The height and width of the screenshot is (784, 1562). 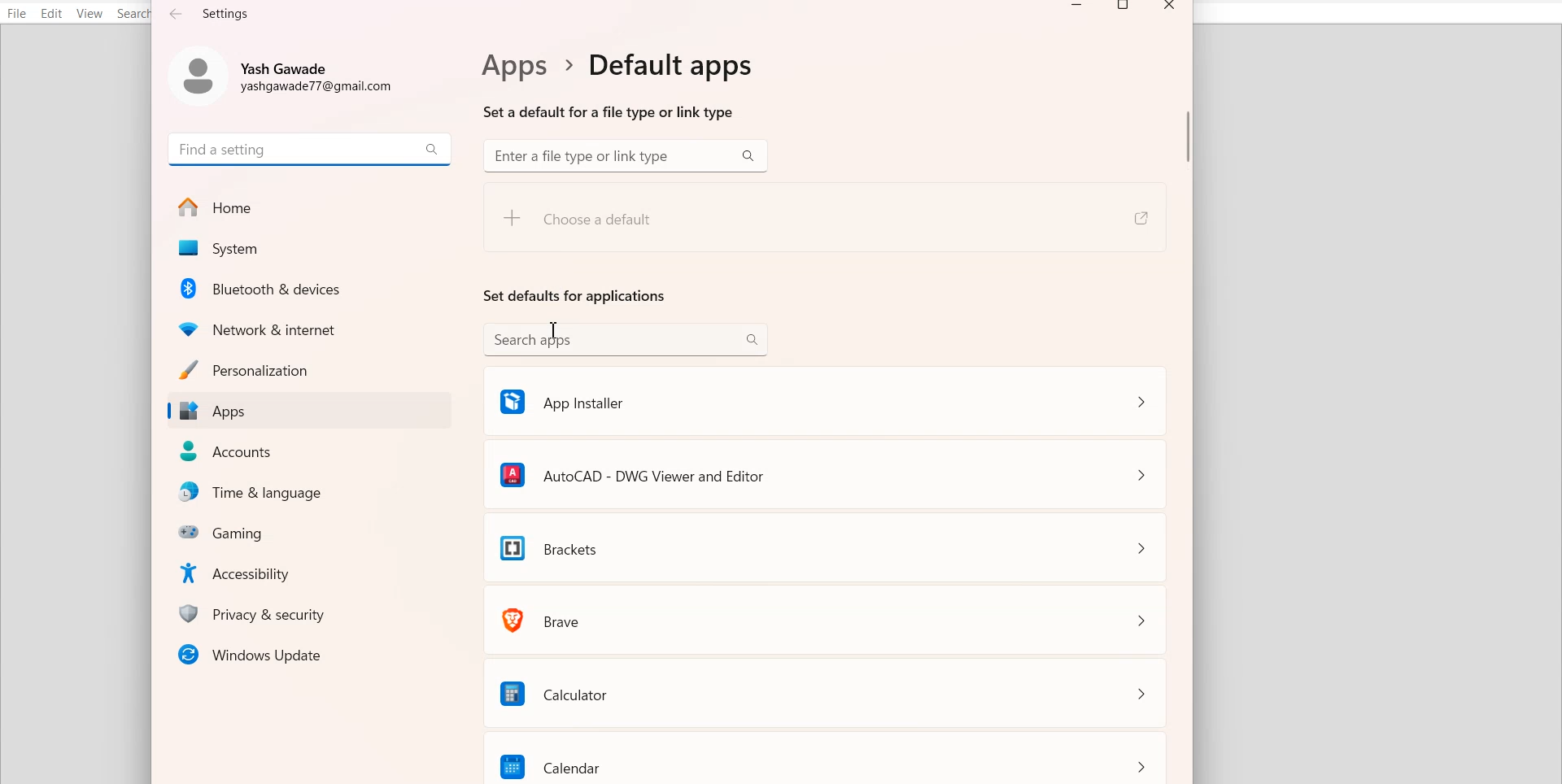 What do you see at coordinates (312, 288) in the screenshot?
I see `Bluetooth & Devices` at bounding box center [312, 288].